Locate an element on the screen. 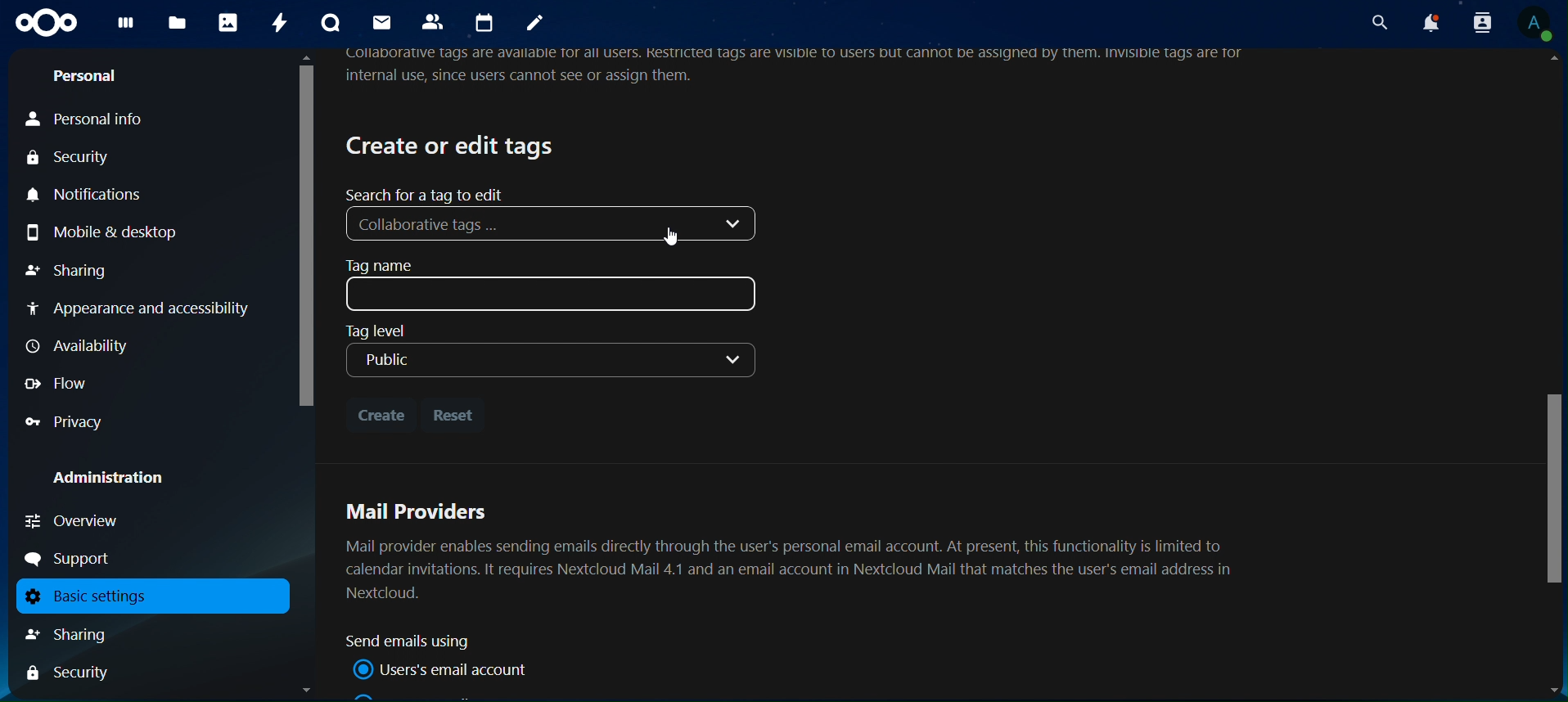 Image resolution: width=1568 pixels, height=702 pixels. basic settings is located at coordinates (146, 596).